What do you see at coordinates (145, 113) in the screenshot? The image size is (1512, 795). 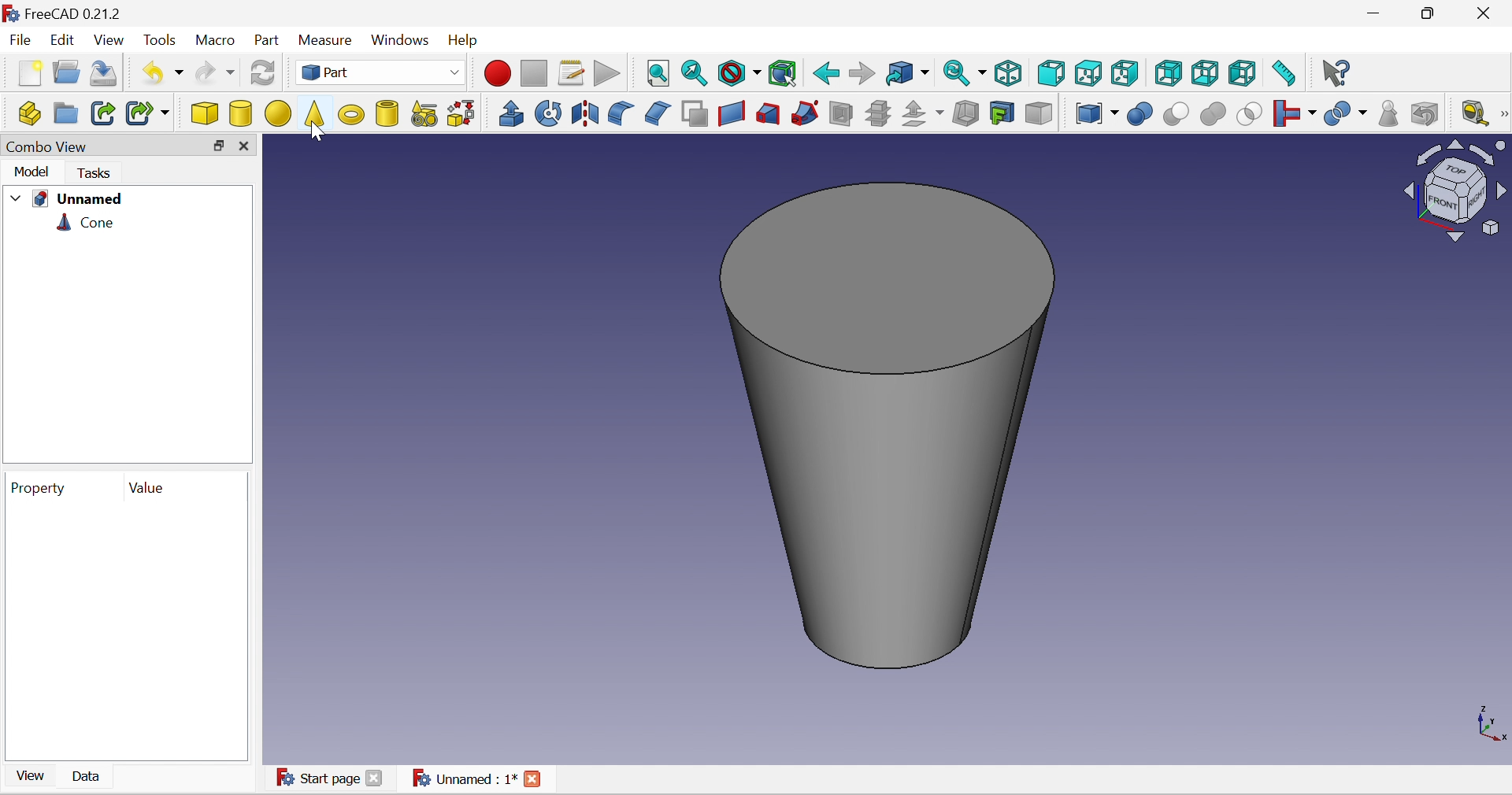 I see `Make sub-link` at bounding box center [145, 113].